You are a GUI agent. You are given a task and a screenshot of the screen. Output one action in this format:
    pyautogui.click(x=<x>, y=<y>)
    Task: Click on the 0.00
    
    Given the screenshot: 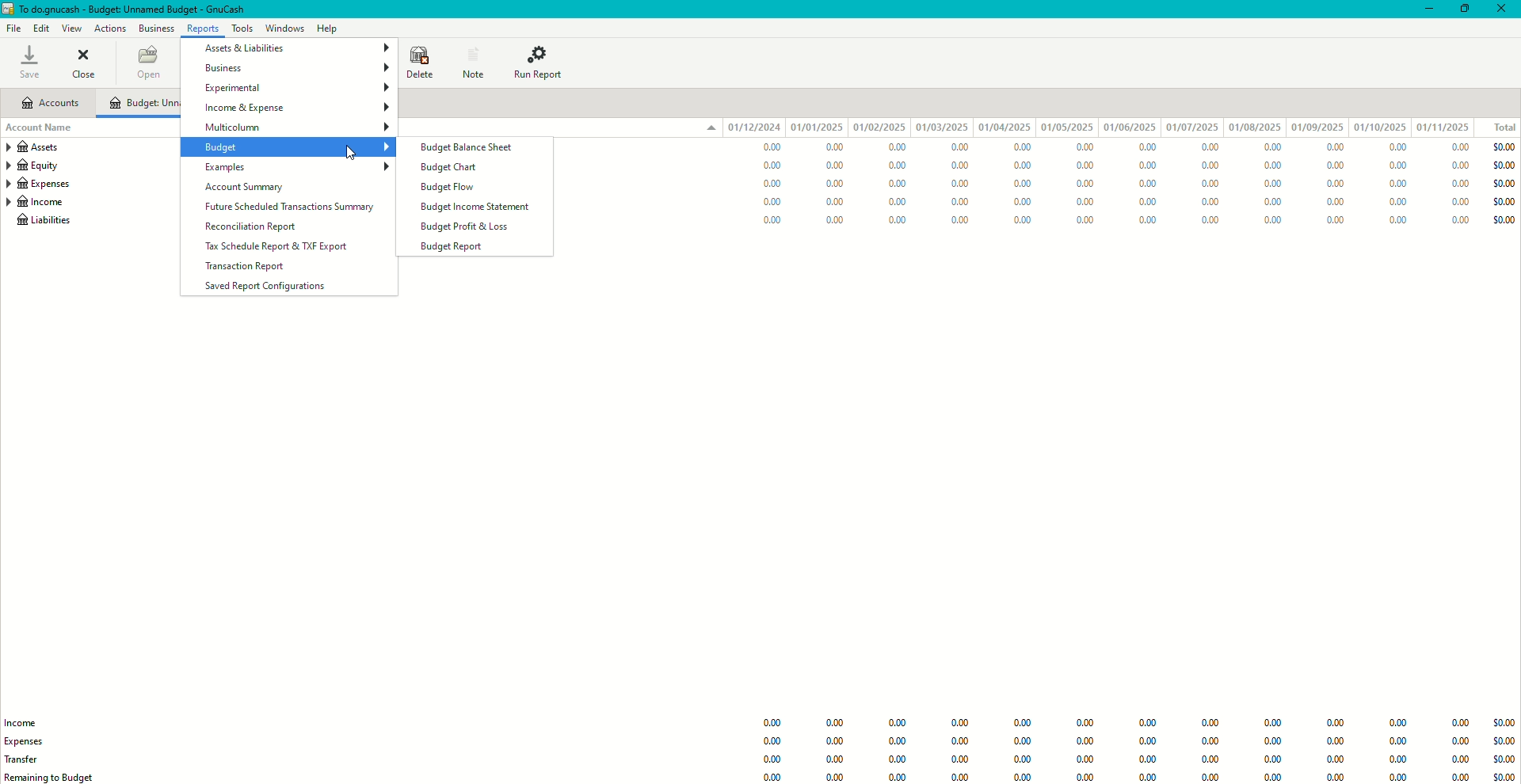 What is the action you would take?
    pyautogui.click(x=959, y=202)
    